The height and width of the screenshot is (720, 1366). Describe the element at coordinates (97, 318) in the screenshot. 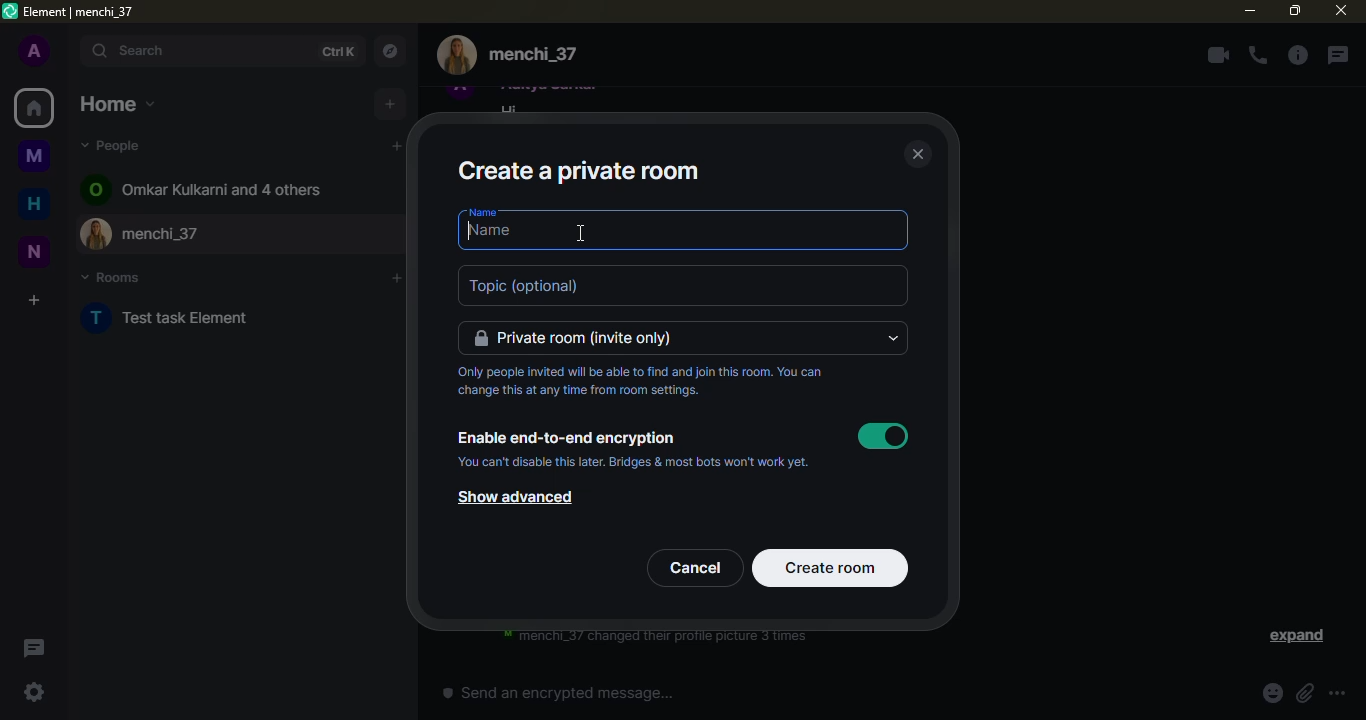

I see `Profile initial` at that location.